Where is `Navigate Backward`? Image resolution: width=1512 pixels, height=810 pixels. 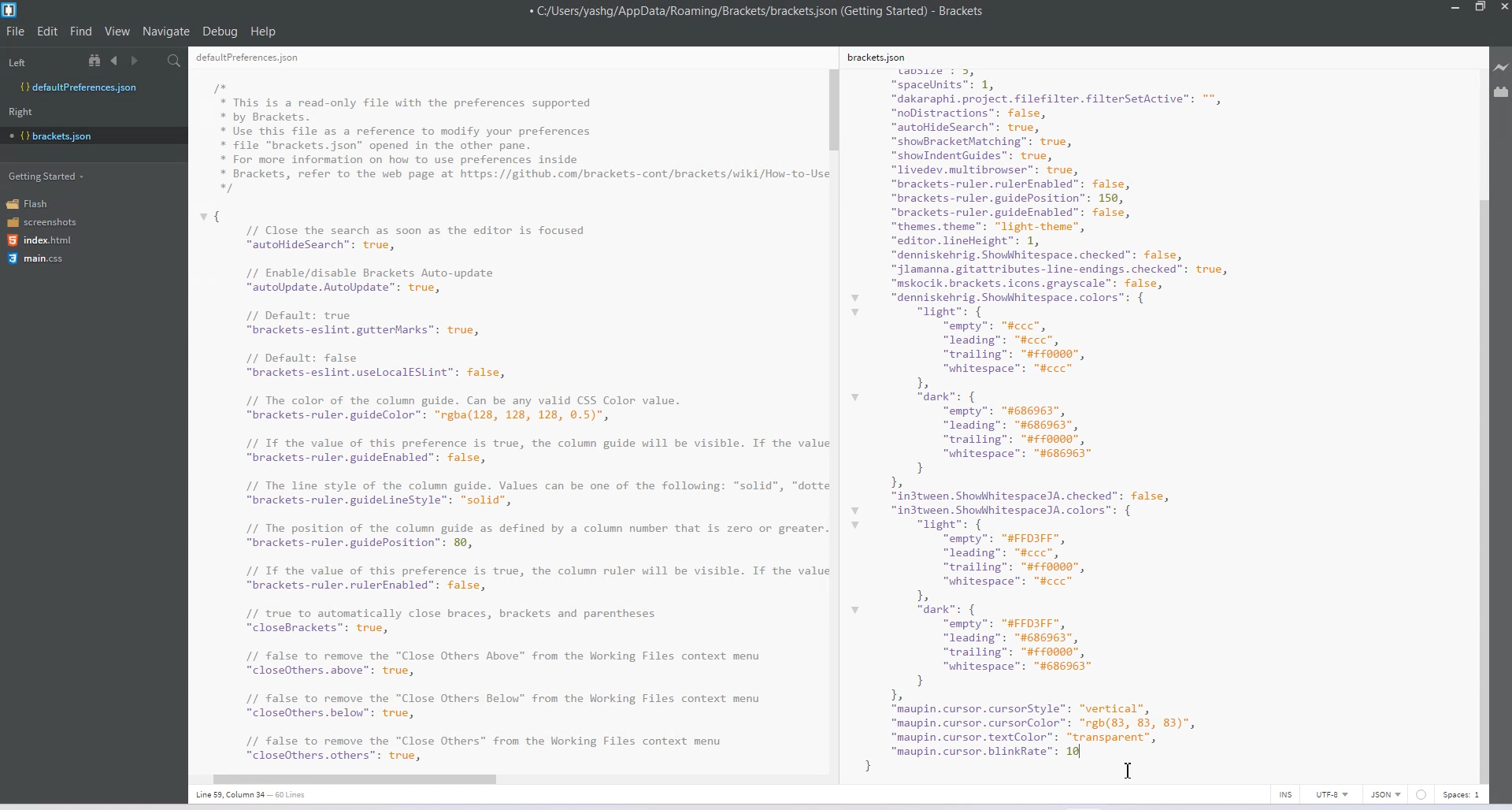
Navigate Backward is located at coordinates (117, 60).